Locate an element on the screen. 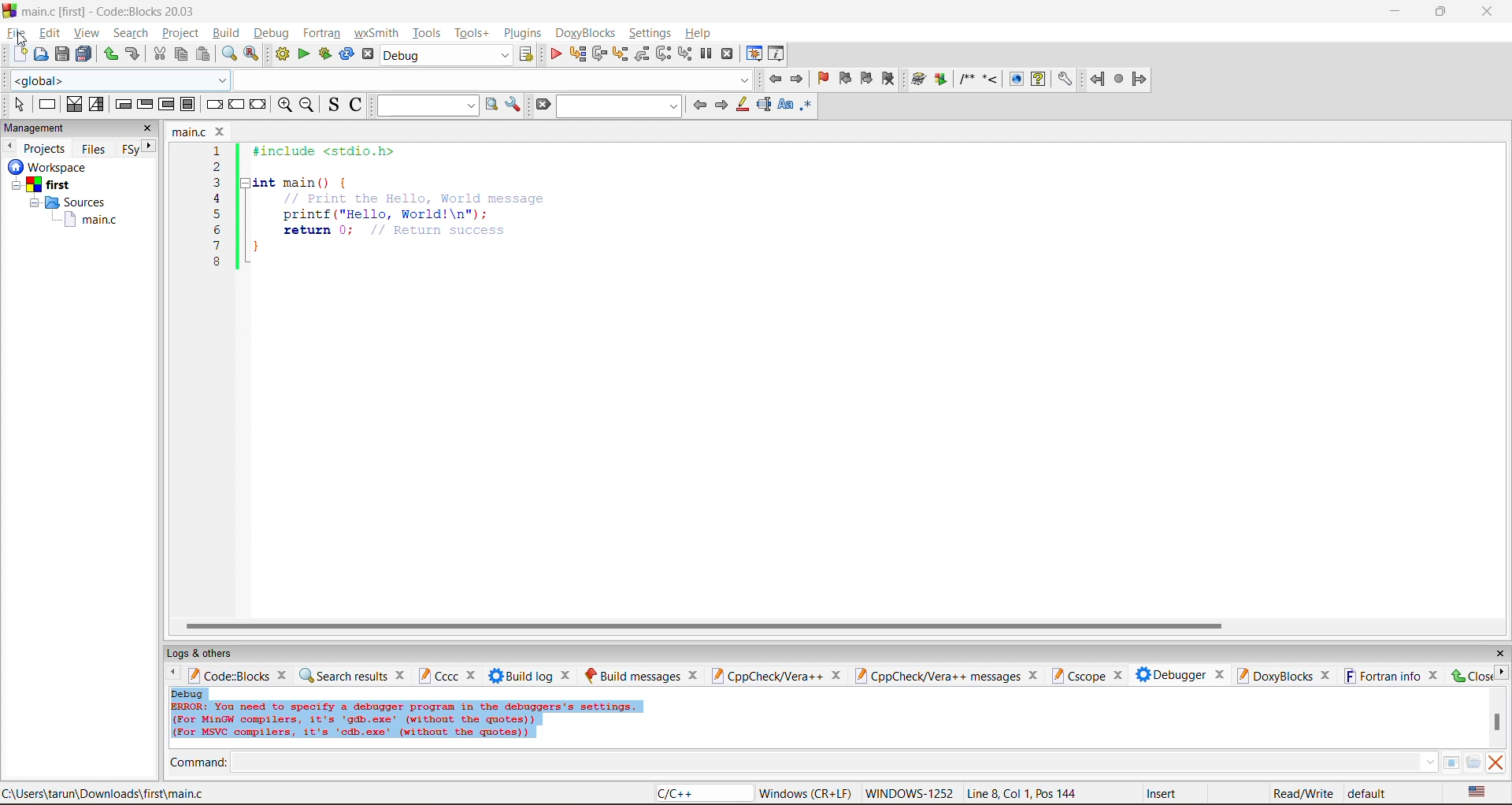  cppcheck/vera++ is located at coordinates (765, 677).